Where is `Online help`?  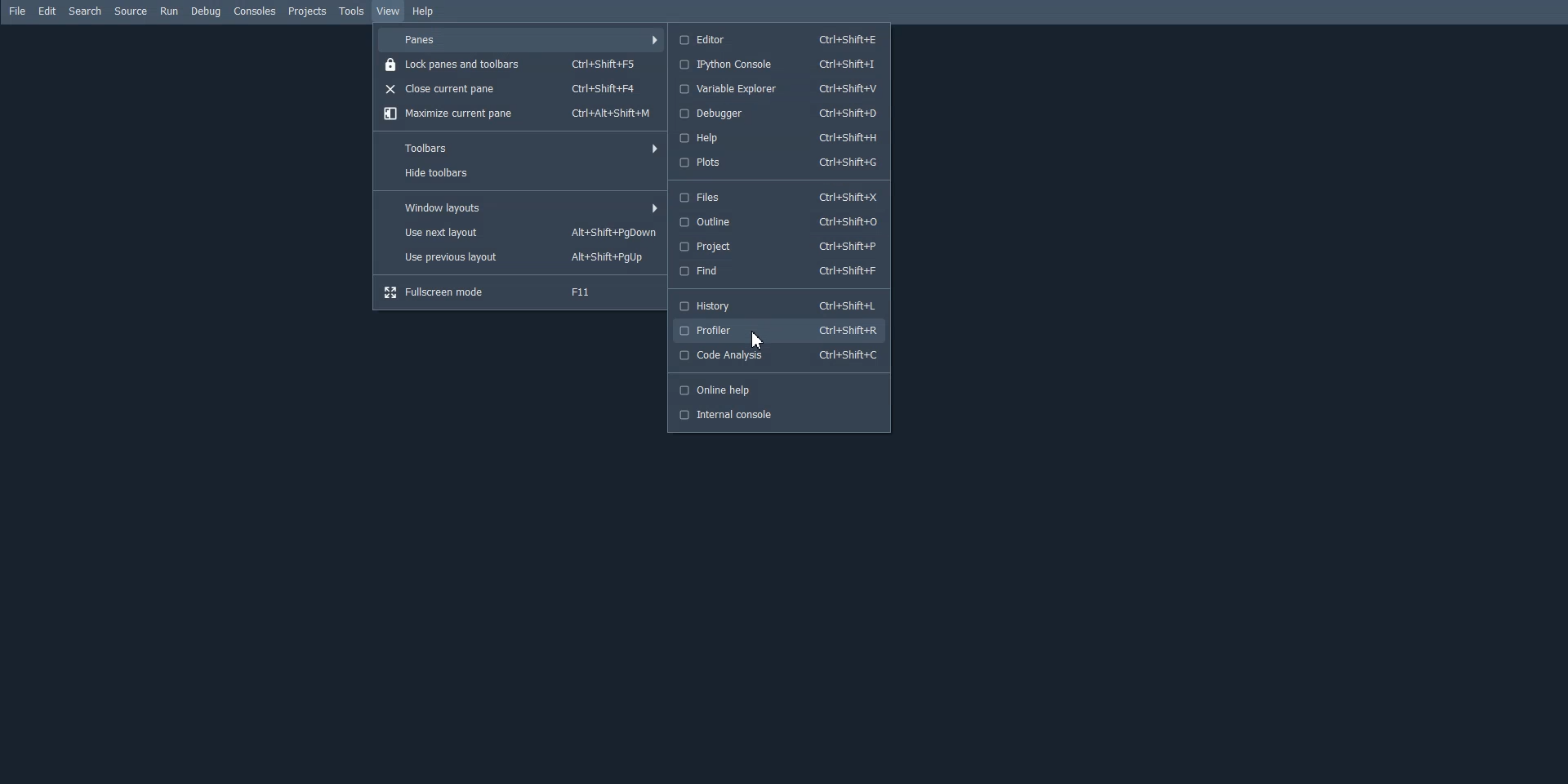 Online help is located at coordinates (778, 390).